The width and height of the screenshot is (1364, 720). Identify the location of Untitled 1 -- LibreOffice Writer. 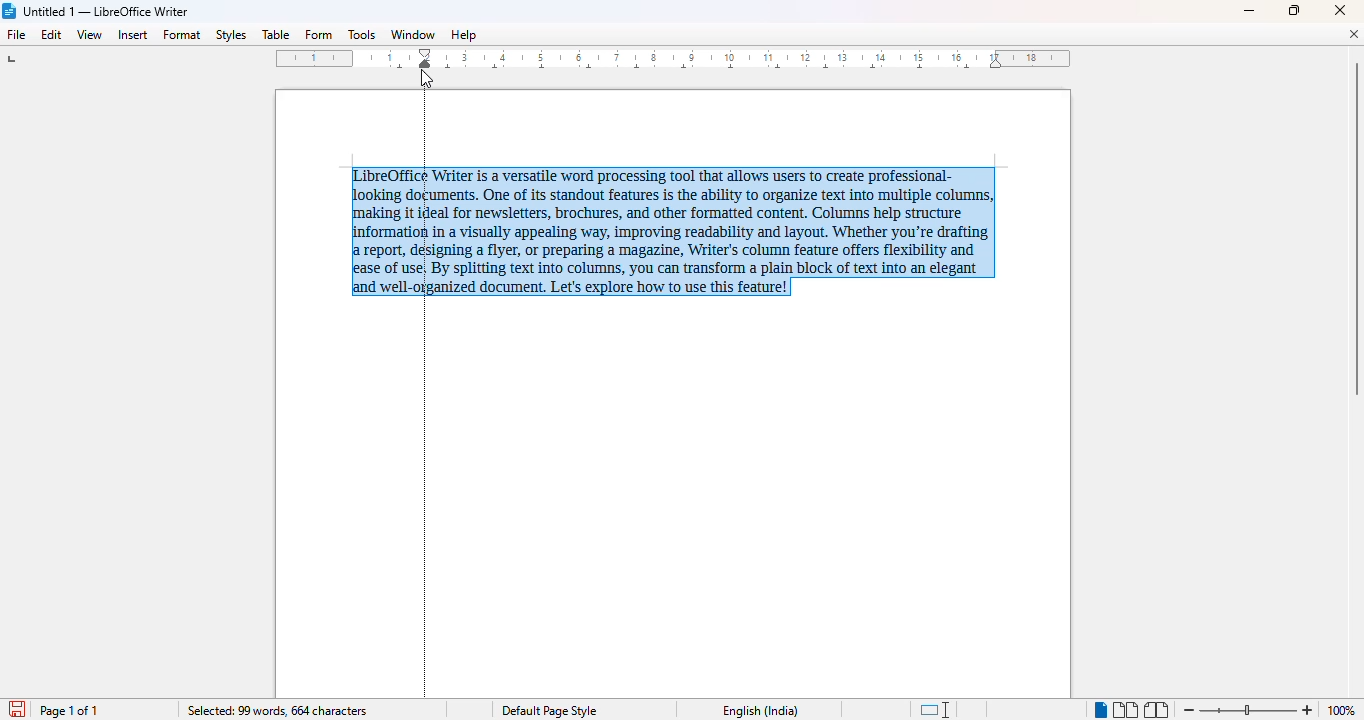
(107, 12).